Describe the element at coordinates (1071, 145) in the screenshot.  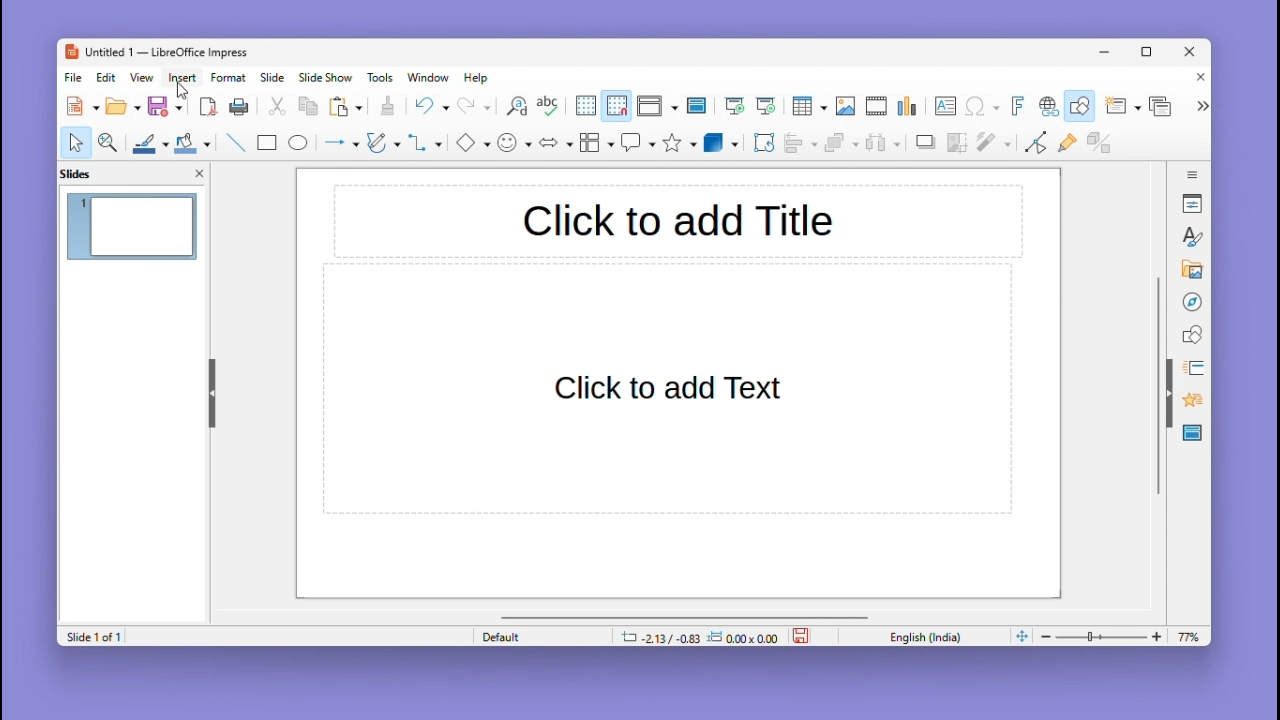
I see `Glue point` at that location.